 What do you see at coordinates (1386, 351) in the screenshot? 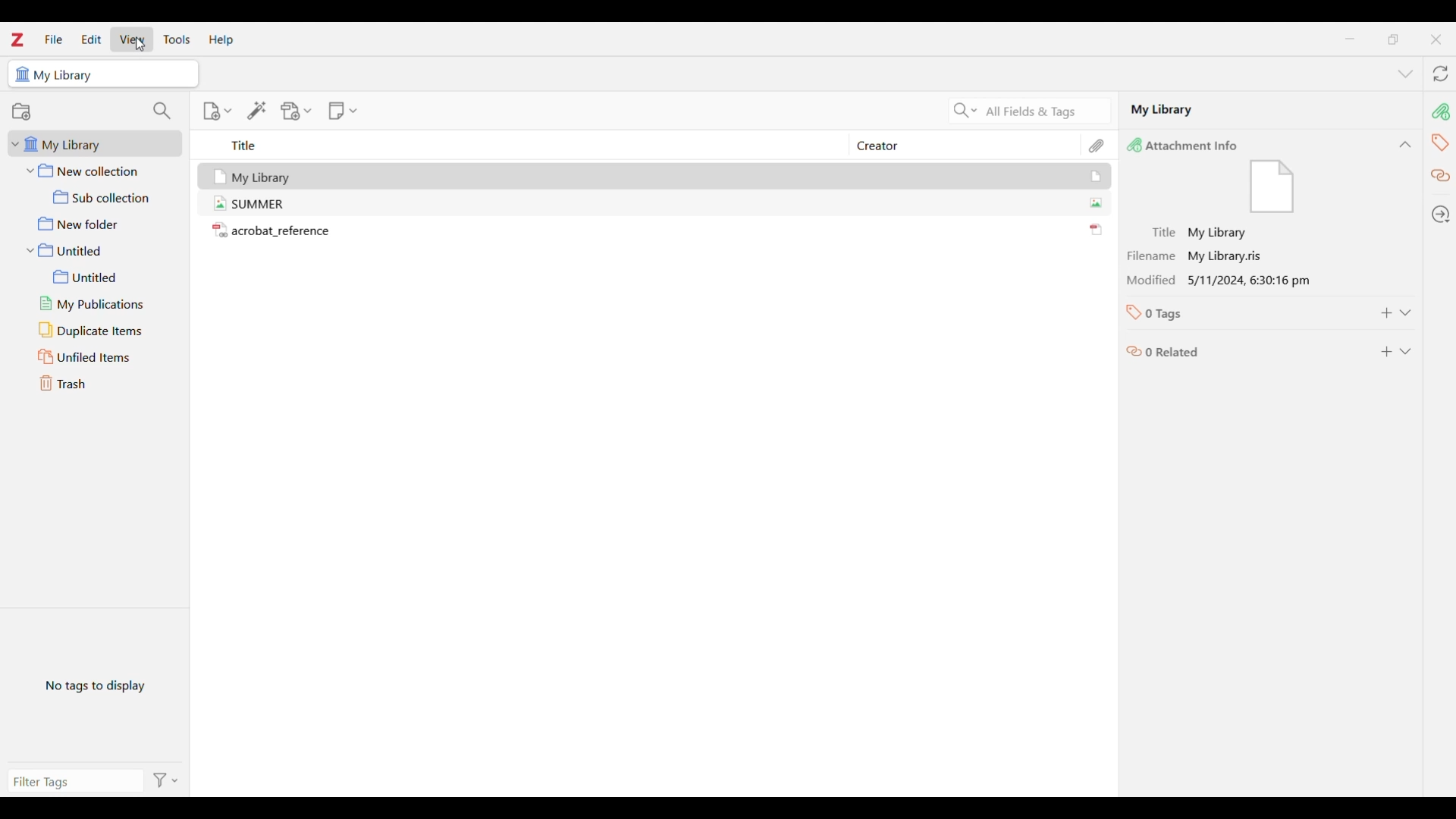
I see `Add to related` at bounding box center [1386, 351].